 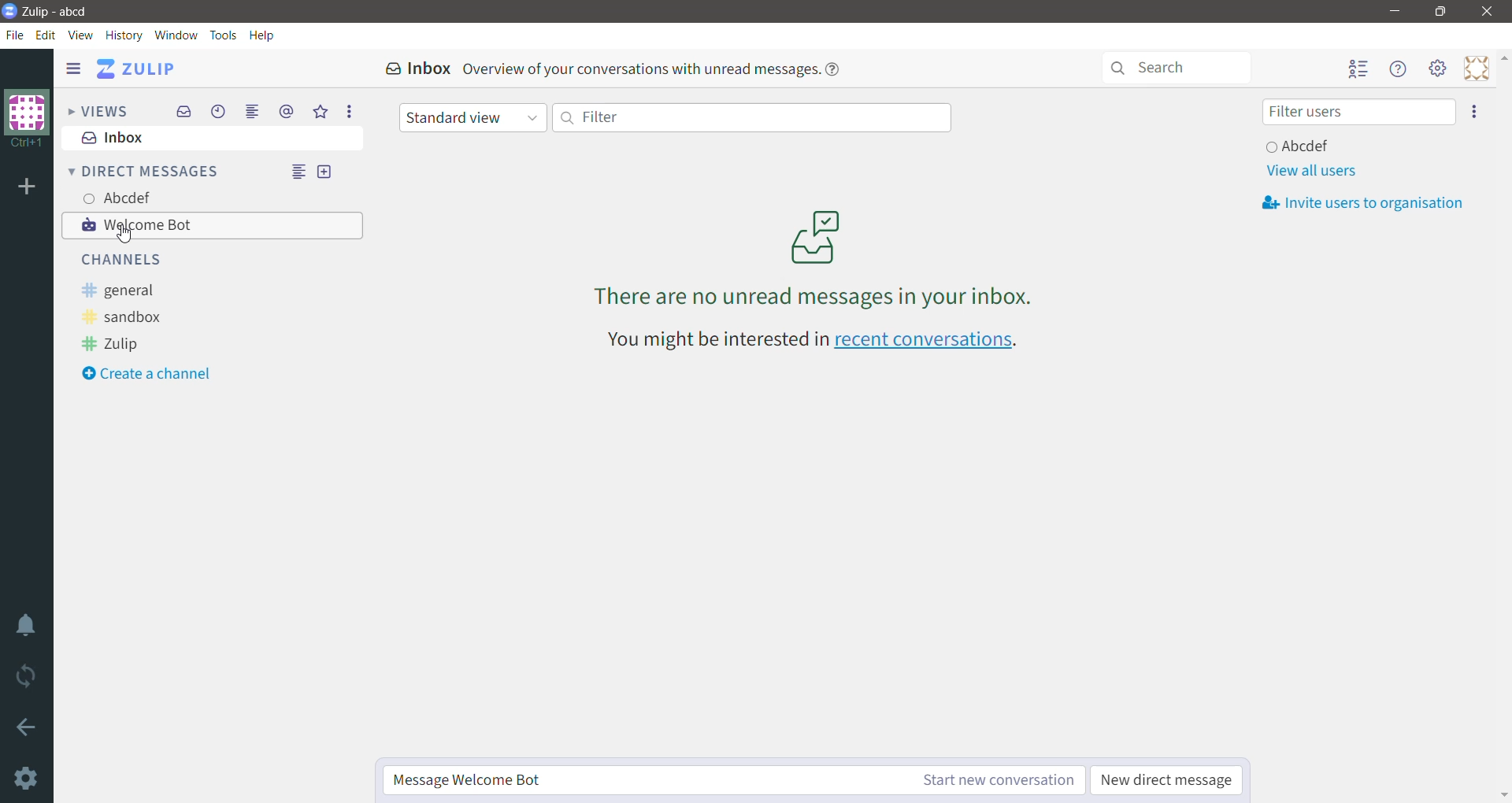 What do you see at coordinates (1487, 11) in the screenshot?
I see `Close` at bounding box center [1487, 11].